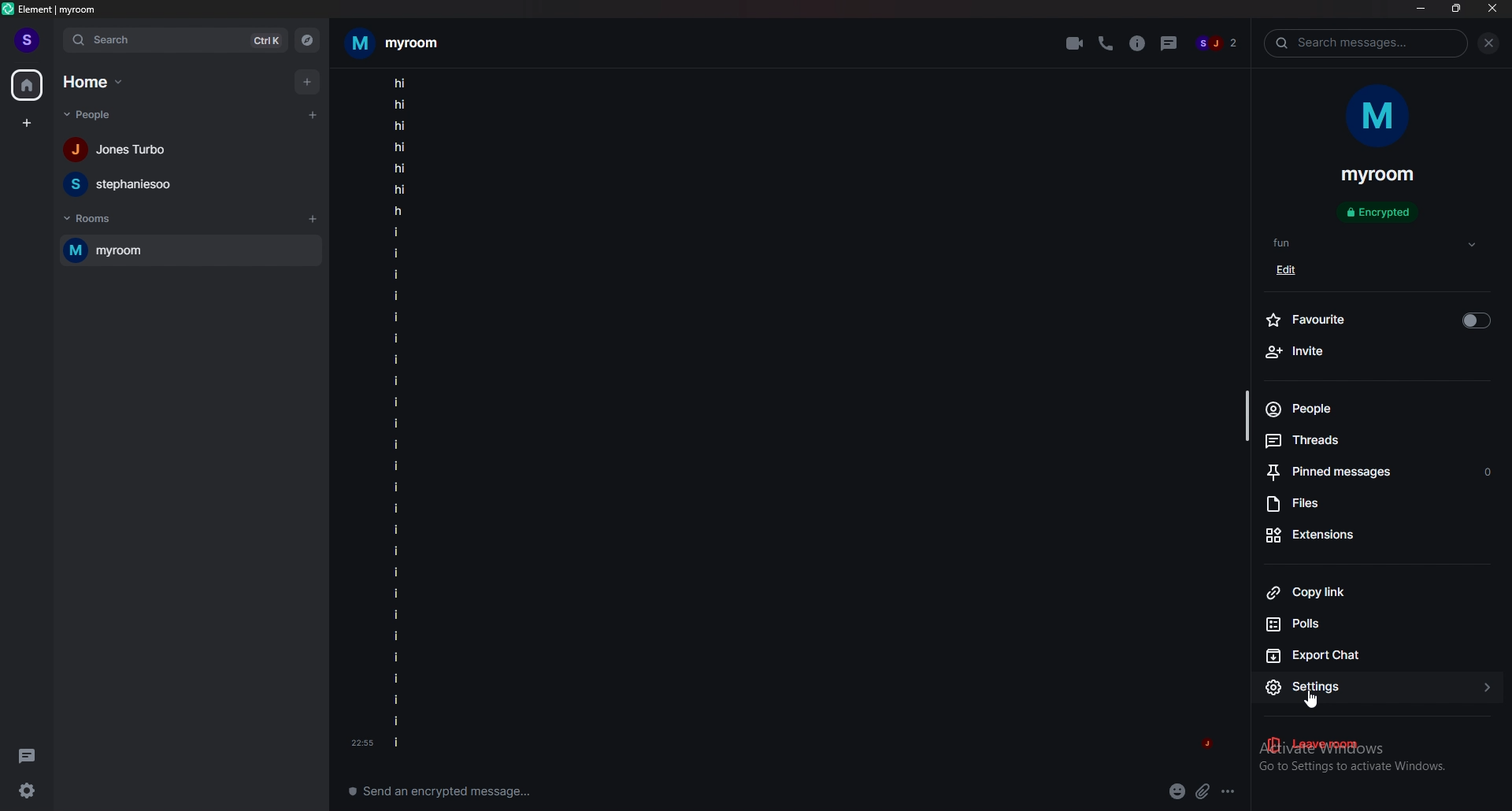  Describe the element at coordinates (1373, 624) in the screenshot. I see `polls` at that location.